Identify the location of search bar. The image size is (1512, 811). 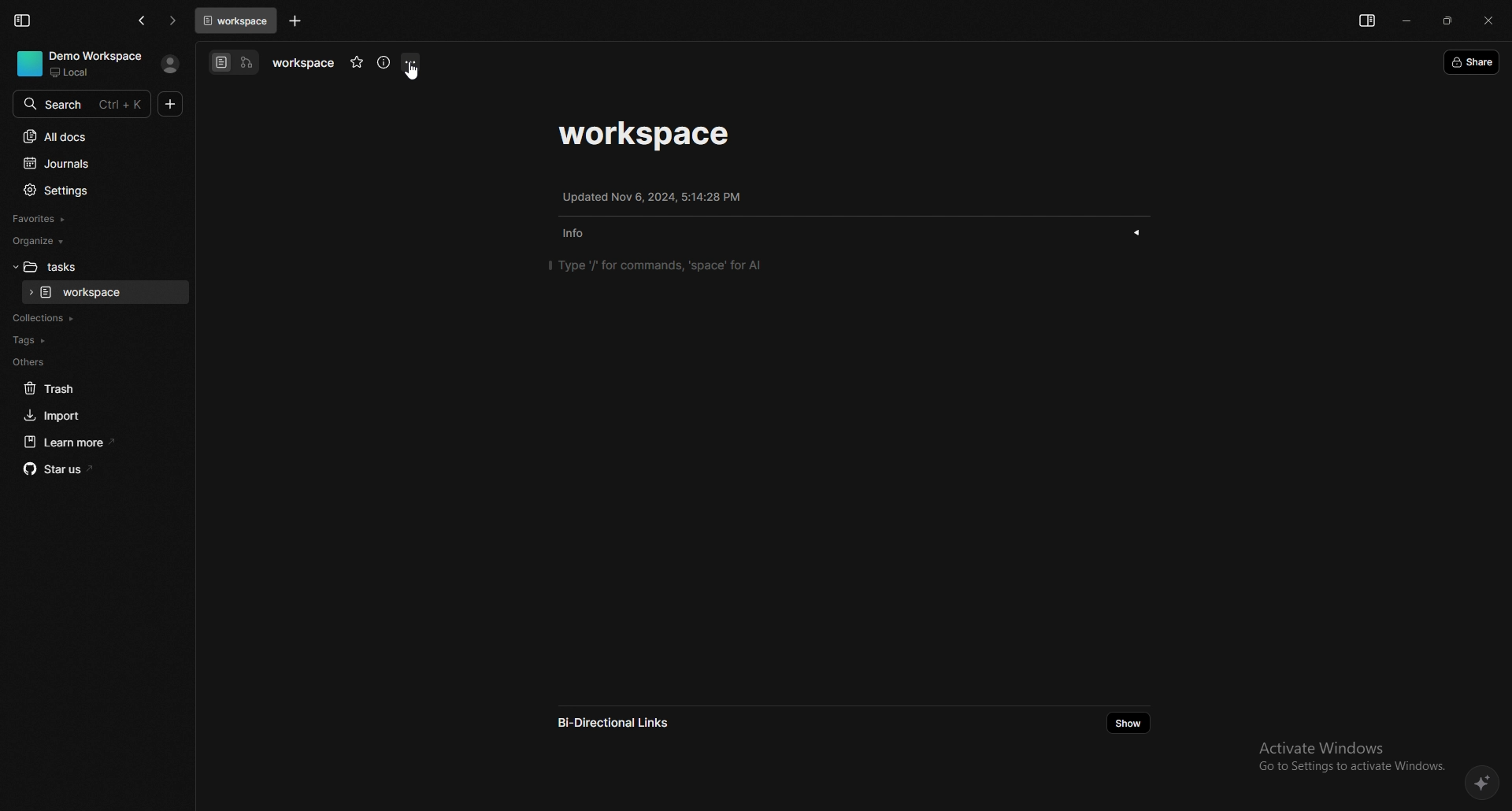
(82, 102).